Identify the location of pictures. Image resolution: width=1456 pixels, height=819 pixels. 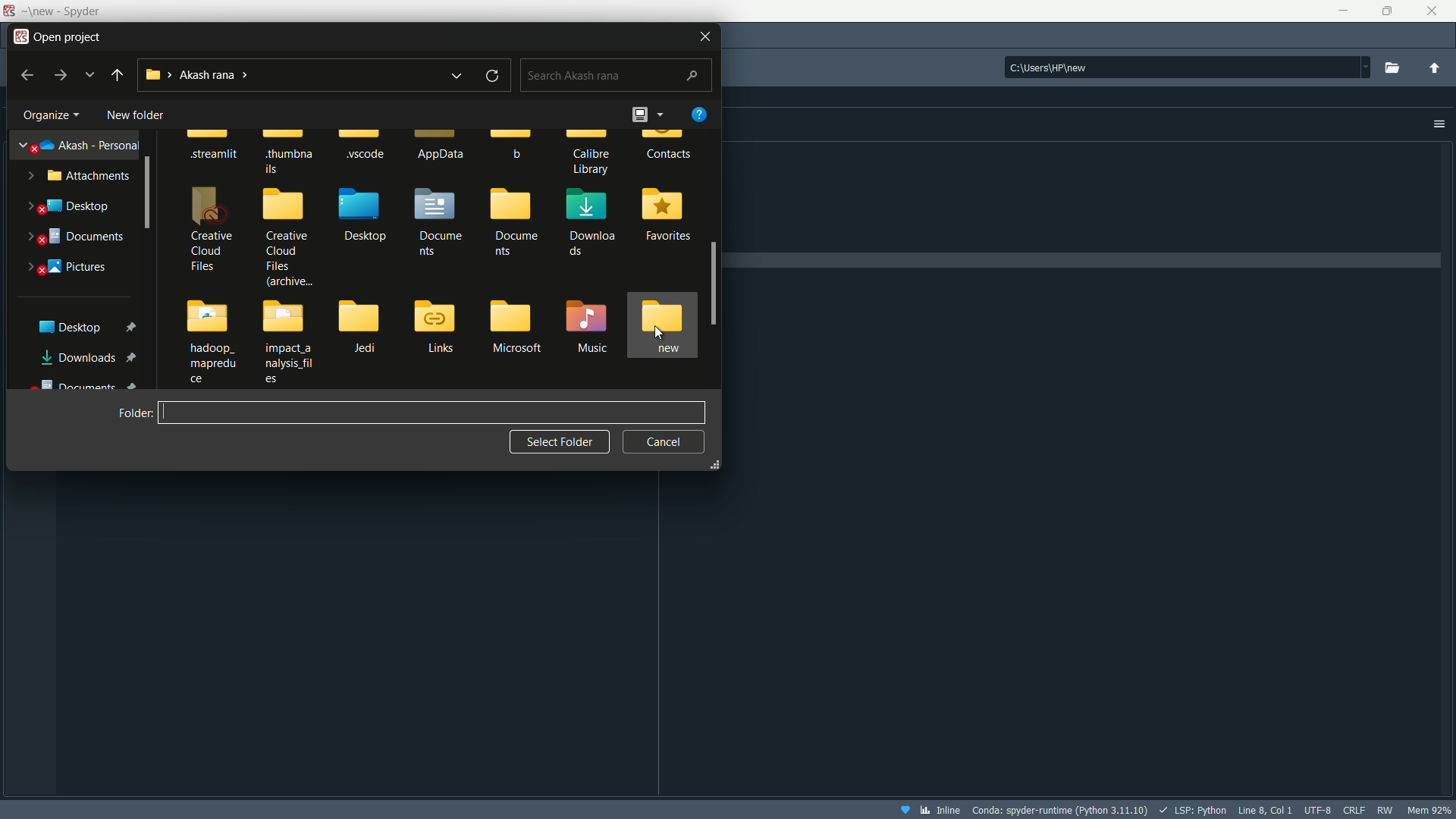
(72, 267).